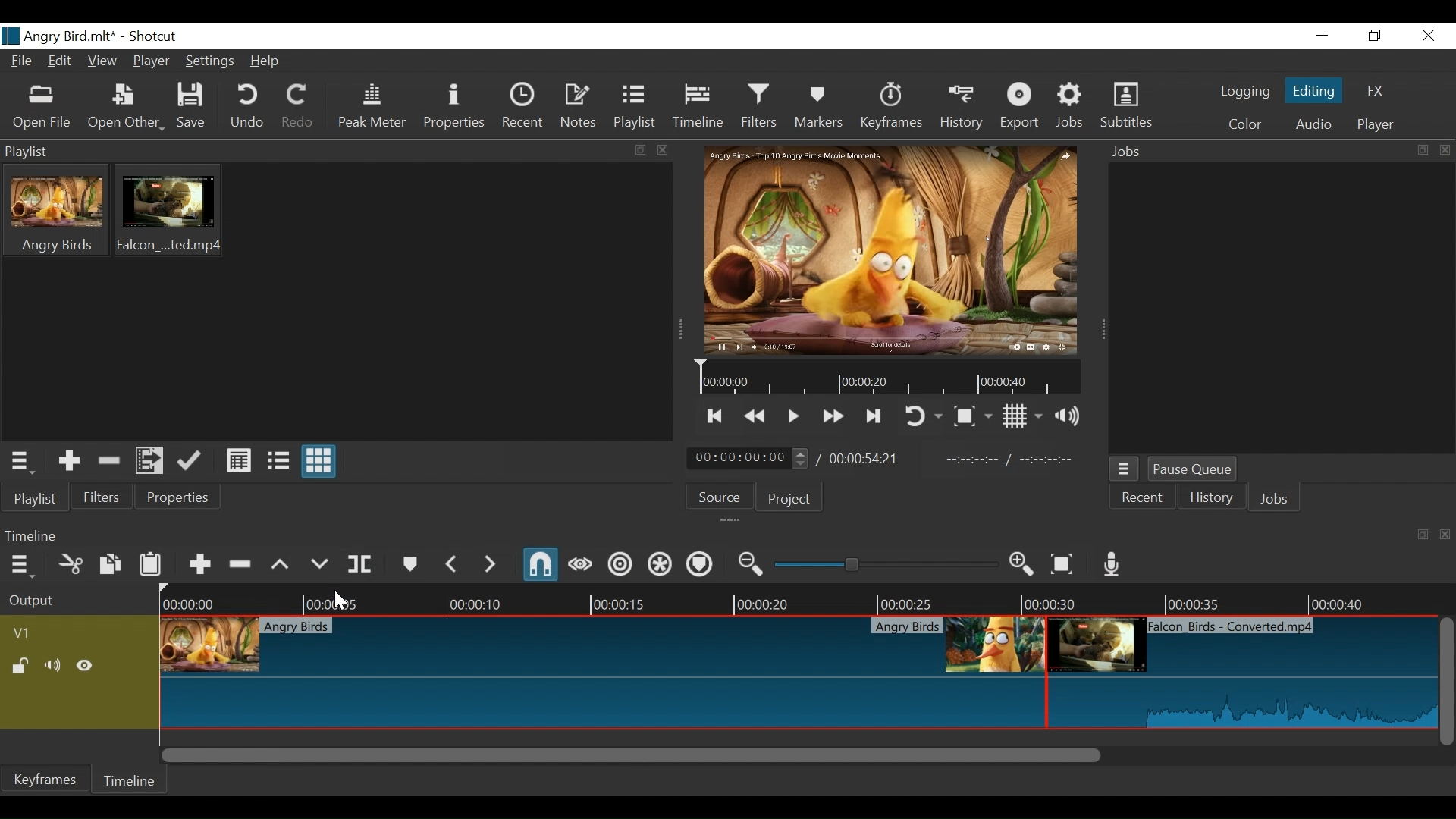 The height and width of the screenshot is (819, 1456). I want to click on Open File, so click(43, 108).